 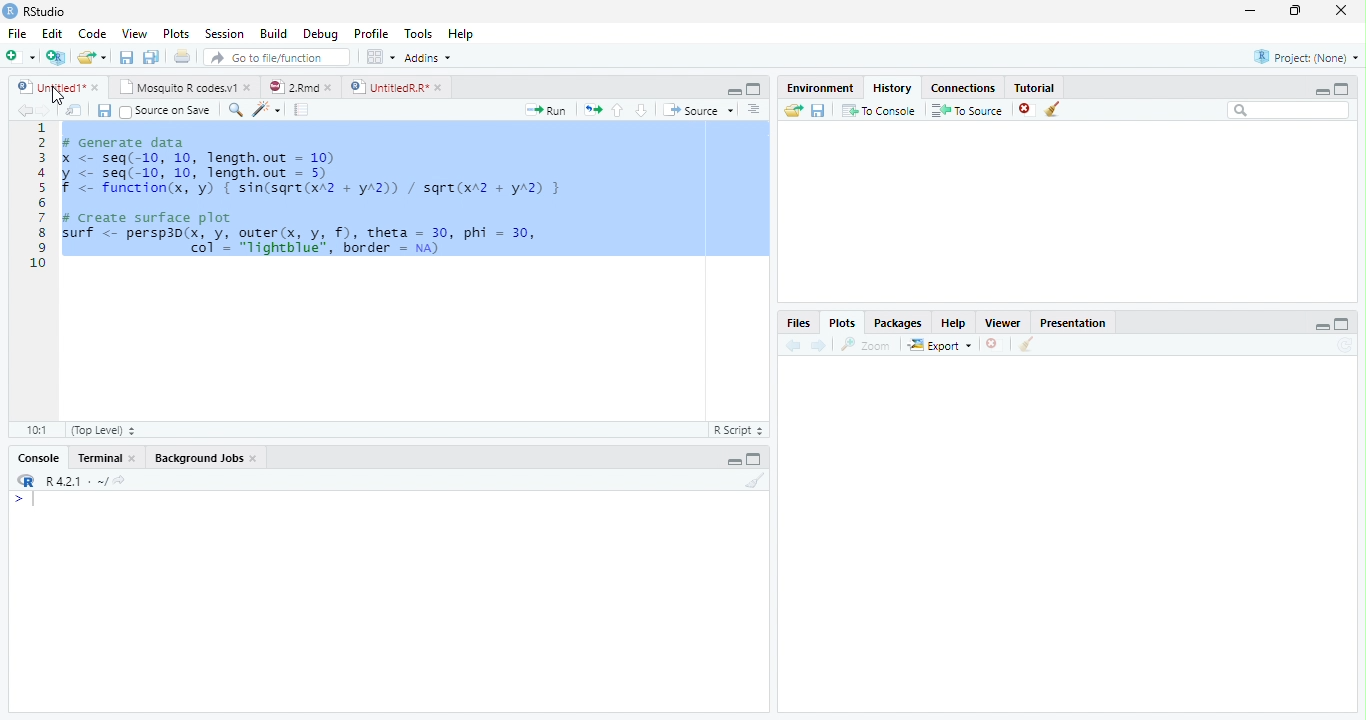 I want to click on Open recent files, so click(x=104, y=57).